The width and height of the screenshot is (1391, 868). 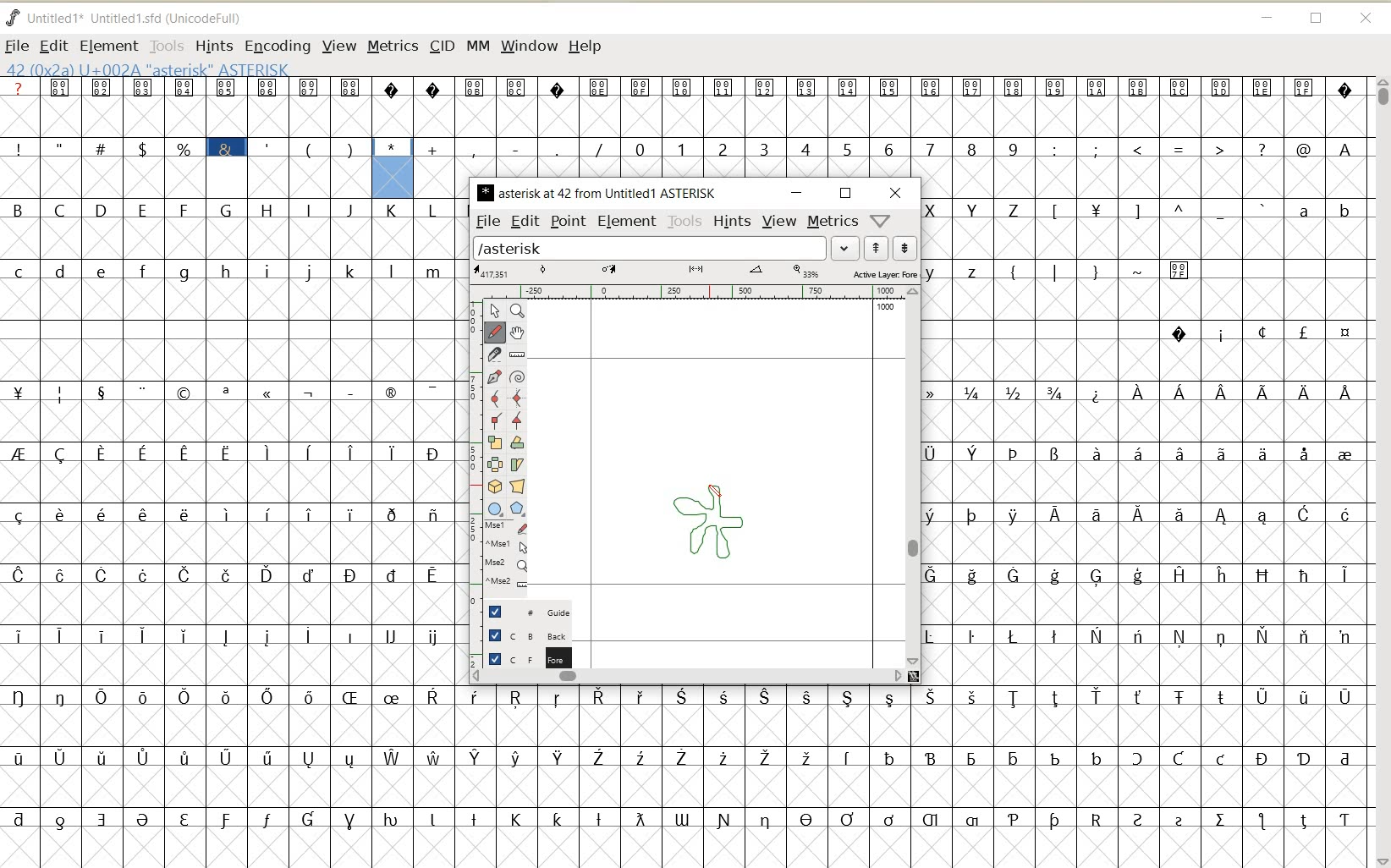 I want to click on SCROLLBAR, so click(x=915, y=477).